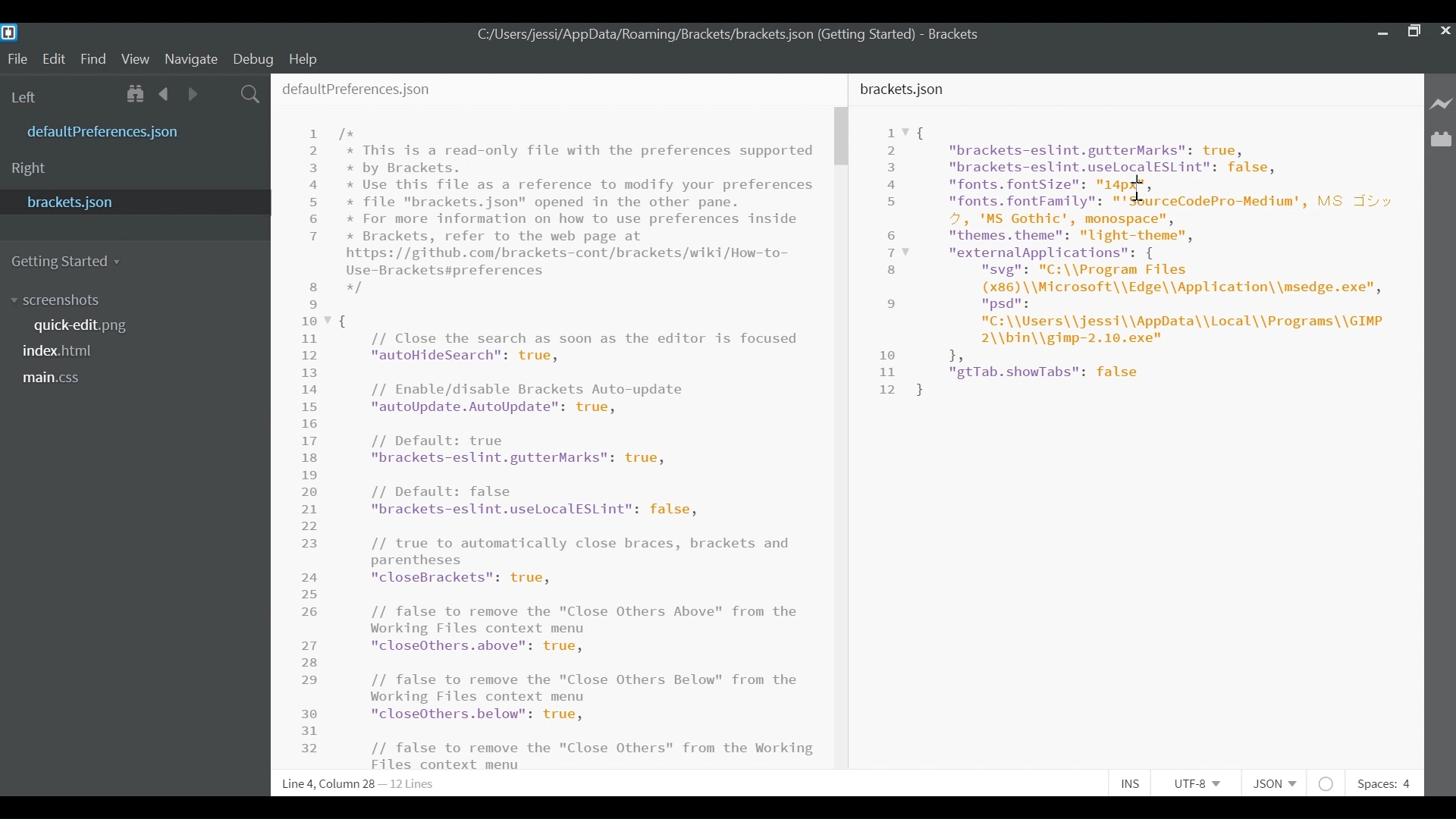  I want to click on Find, so click(93, 60).